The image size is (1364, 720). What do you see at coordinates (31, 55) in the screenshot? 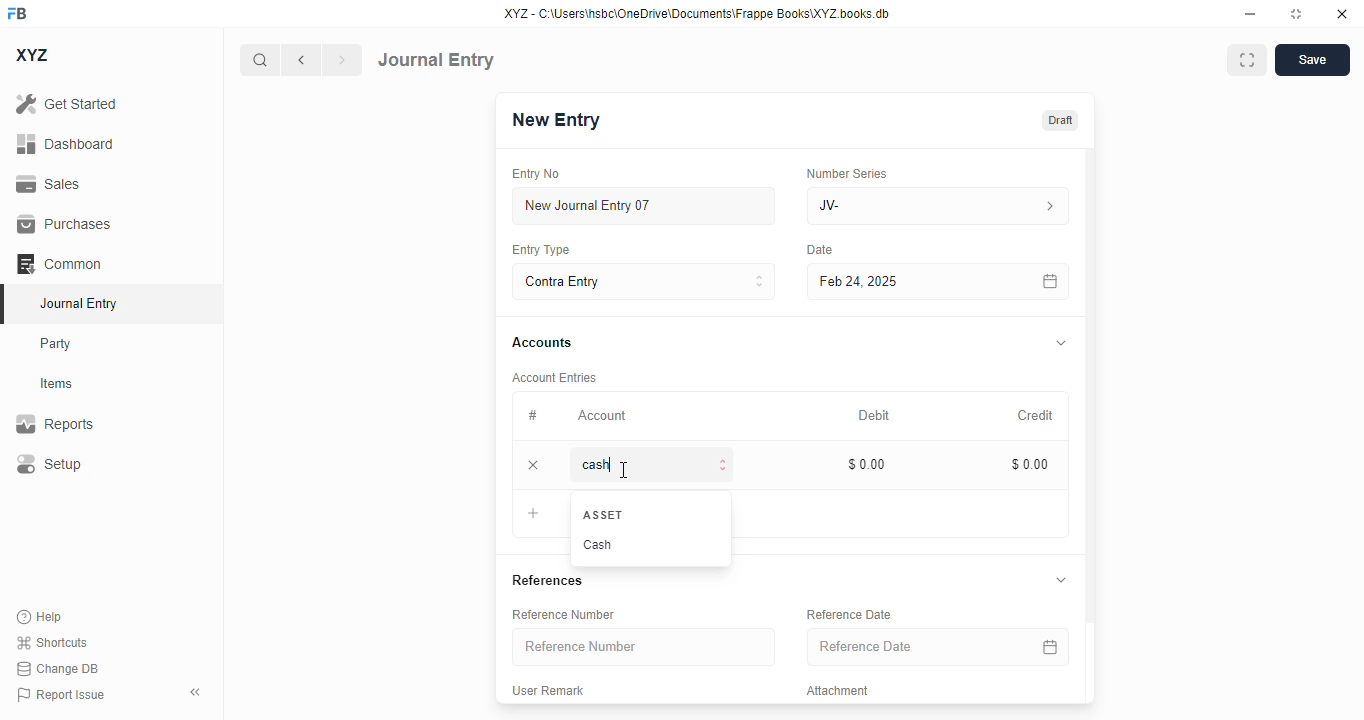
I see `XYZ` at bounding box center [31, 55].